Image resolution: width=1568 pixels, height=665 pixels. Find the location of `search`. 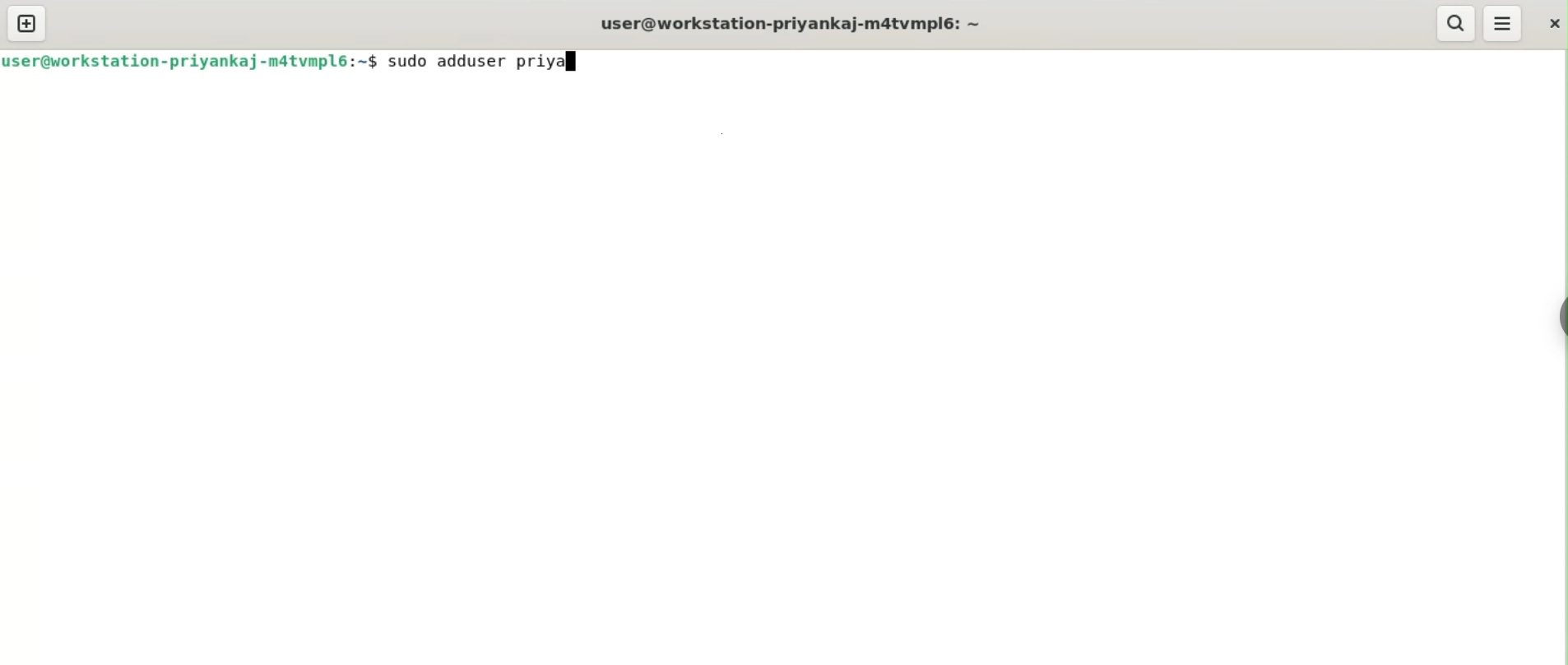

search is located at coordinates (1454, 23).